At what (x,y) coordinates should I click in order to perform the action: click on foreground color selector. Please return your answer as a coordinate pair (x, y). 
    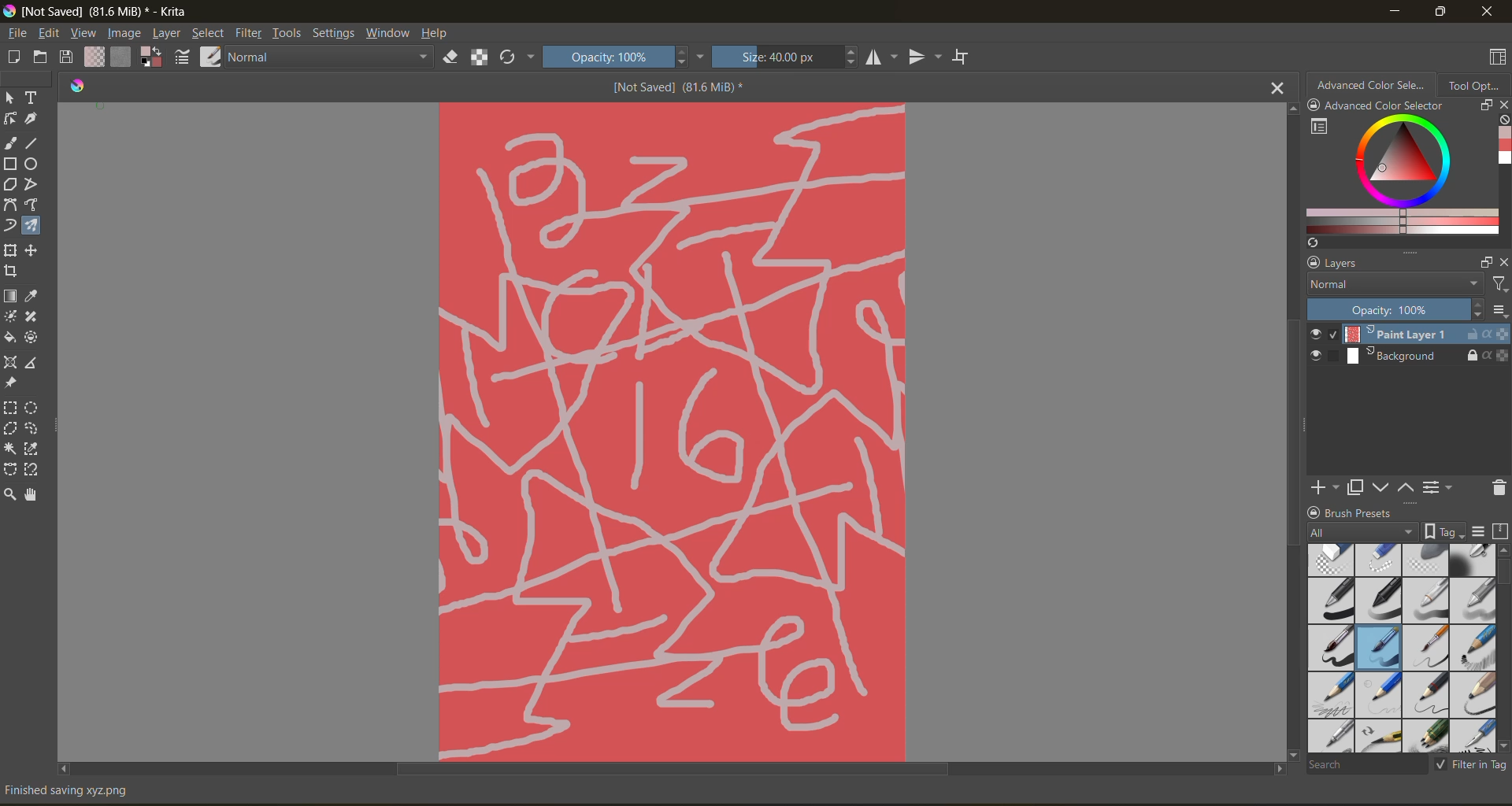
    Looking at the image, I should click on (150, 59).